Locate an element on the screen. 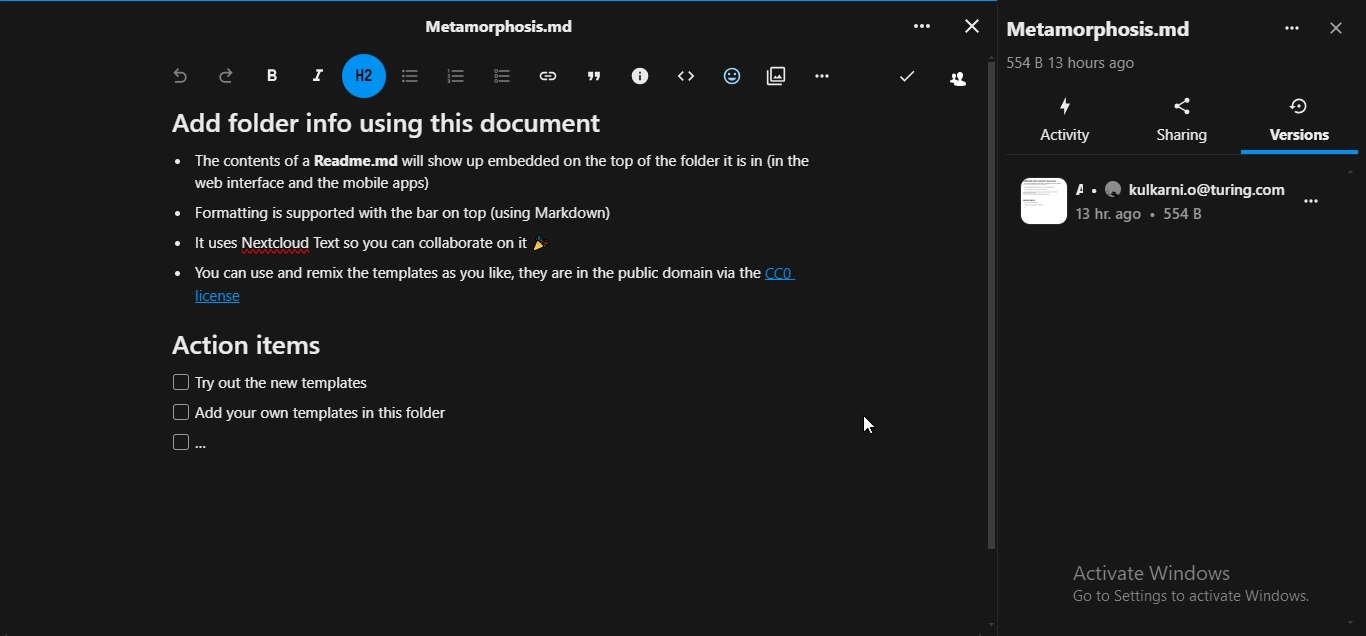 The height and width of the screenshot is (636, 1366). italic is located at coordinates (317, 74).